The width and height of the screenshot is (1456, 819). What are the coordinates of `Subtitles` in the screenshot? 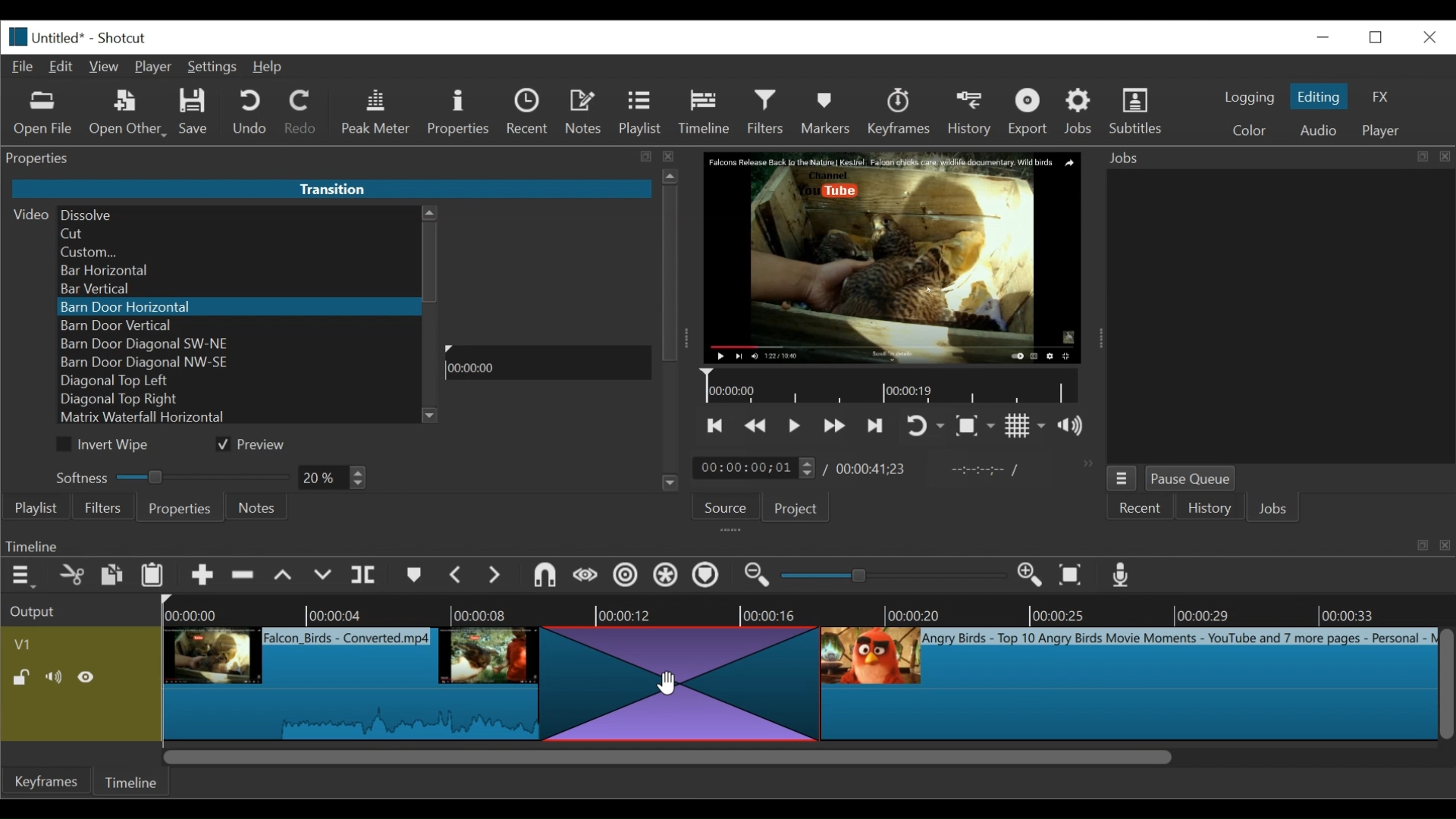 It's located at (1137, 111).